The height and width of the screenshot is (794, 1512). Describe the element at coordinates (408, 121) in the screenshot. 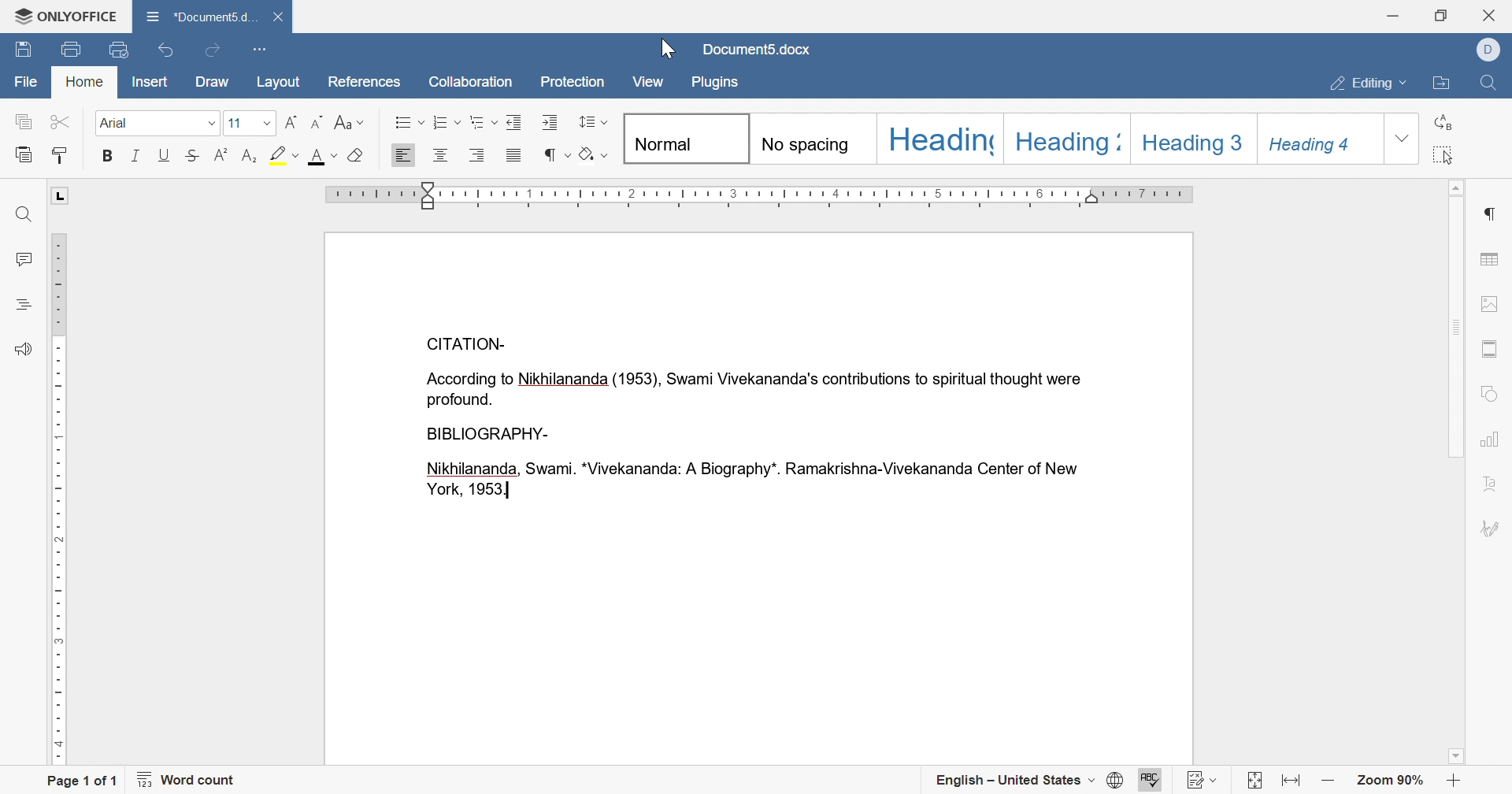

I see `bullets` at that location.